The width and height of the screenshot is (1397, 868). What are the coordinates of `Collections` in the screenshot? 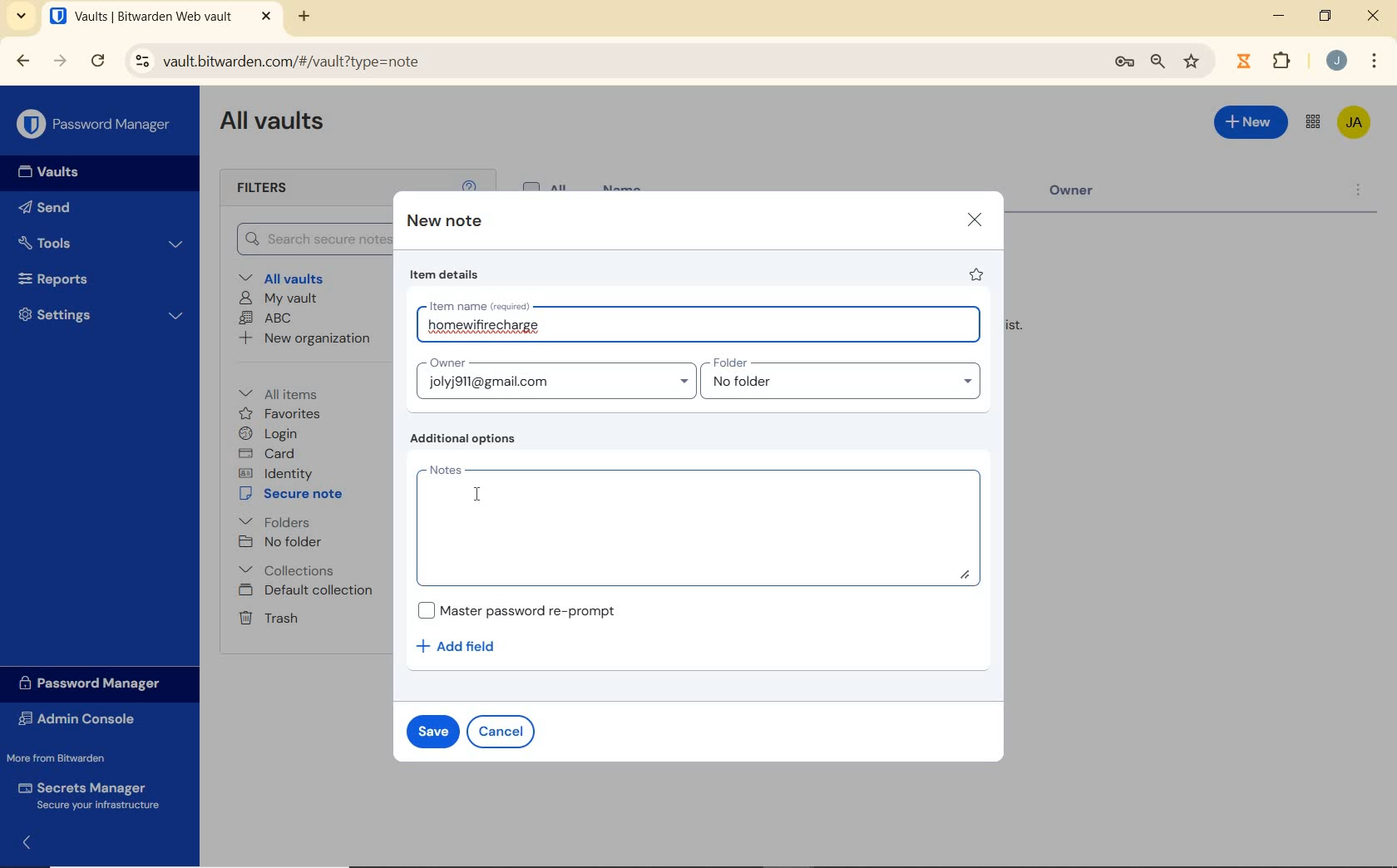 It's located at (290, 570).